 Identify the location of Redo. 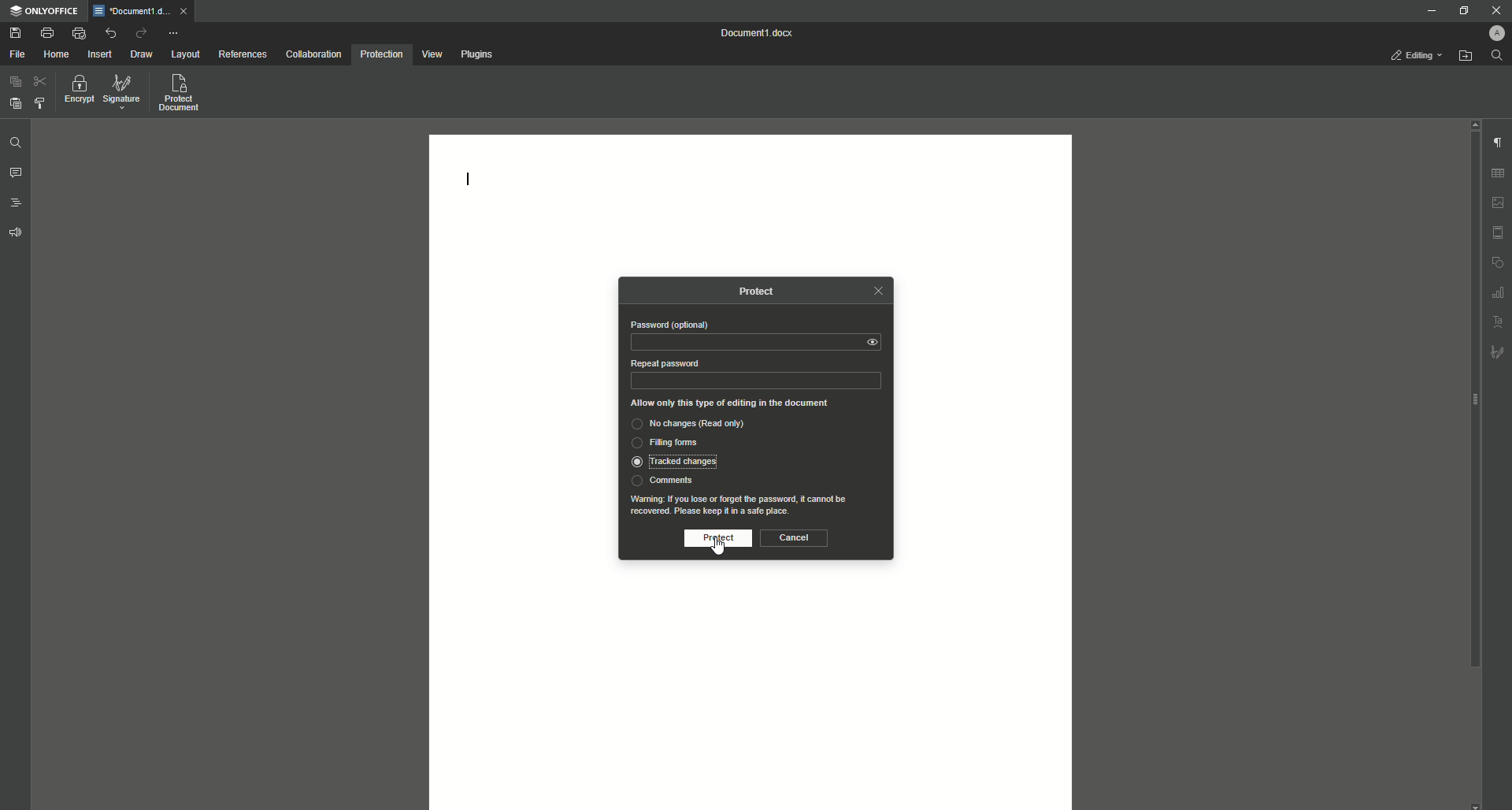
(141, 32).